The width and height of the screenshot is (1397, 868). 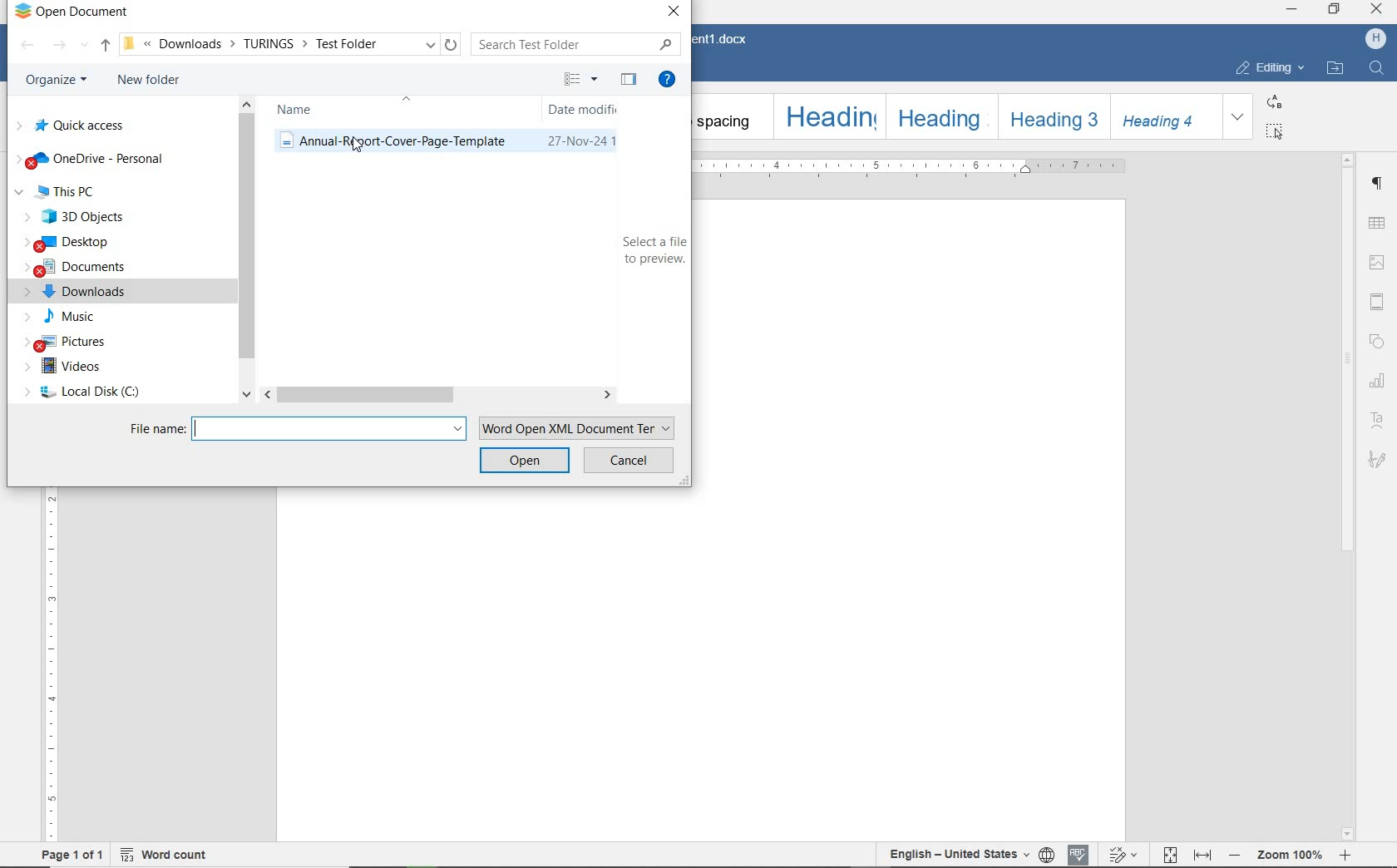 What do you see at coordinates (454, 143) in the screenshot?
I see `COVER LETTER` at bounding box center [454, 143].